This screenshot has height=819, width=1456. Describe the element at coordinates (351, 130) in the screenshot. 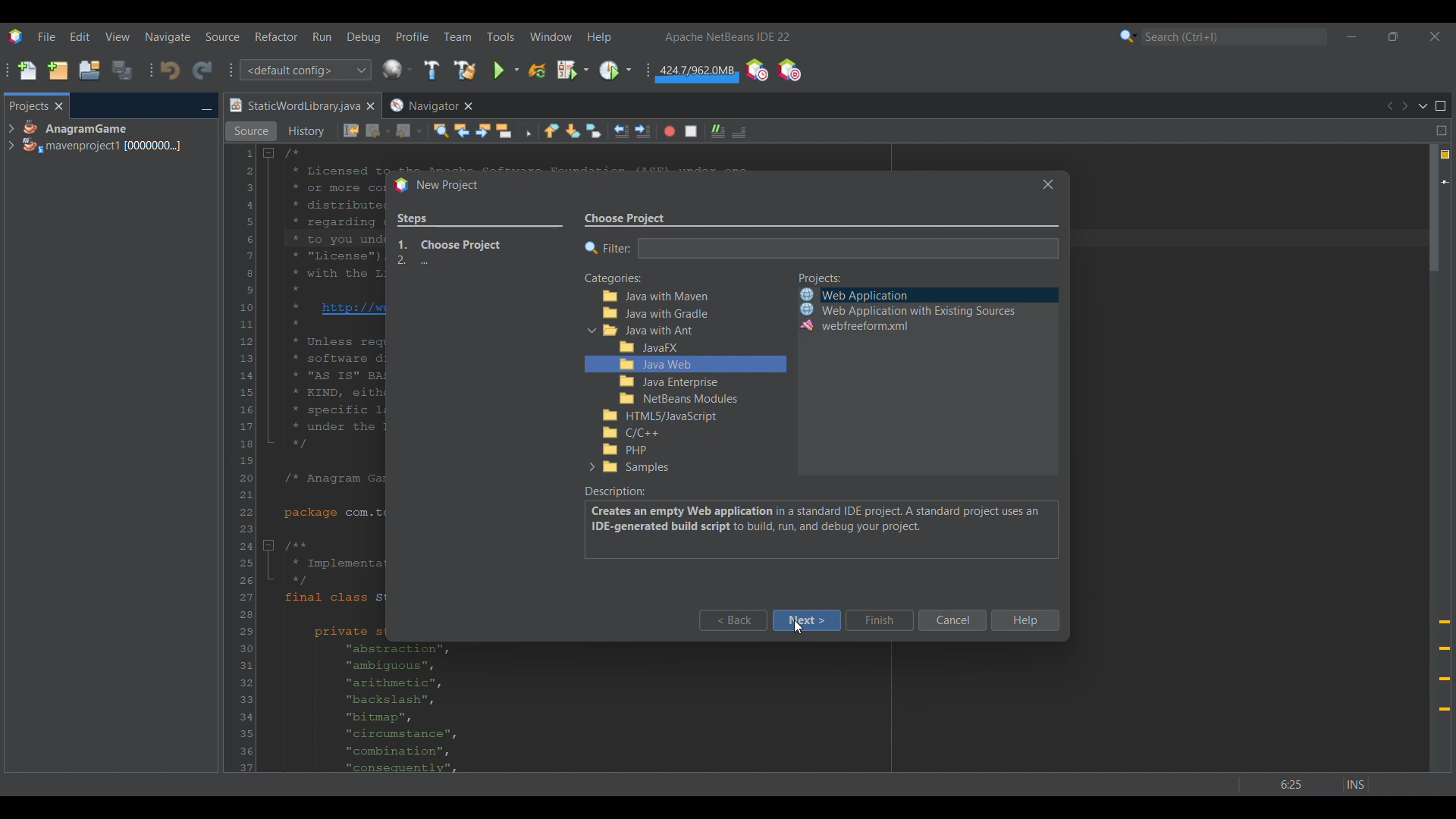

I see `Last edit` at that location.